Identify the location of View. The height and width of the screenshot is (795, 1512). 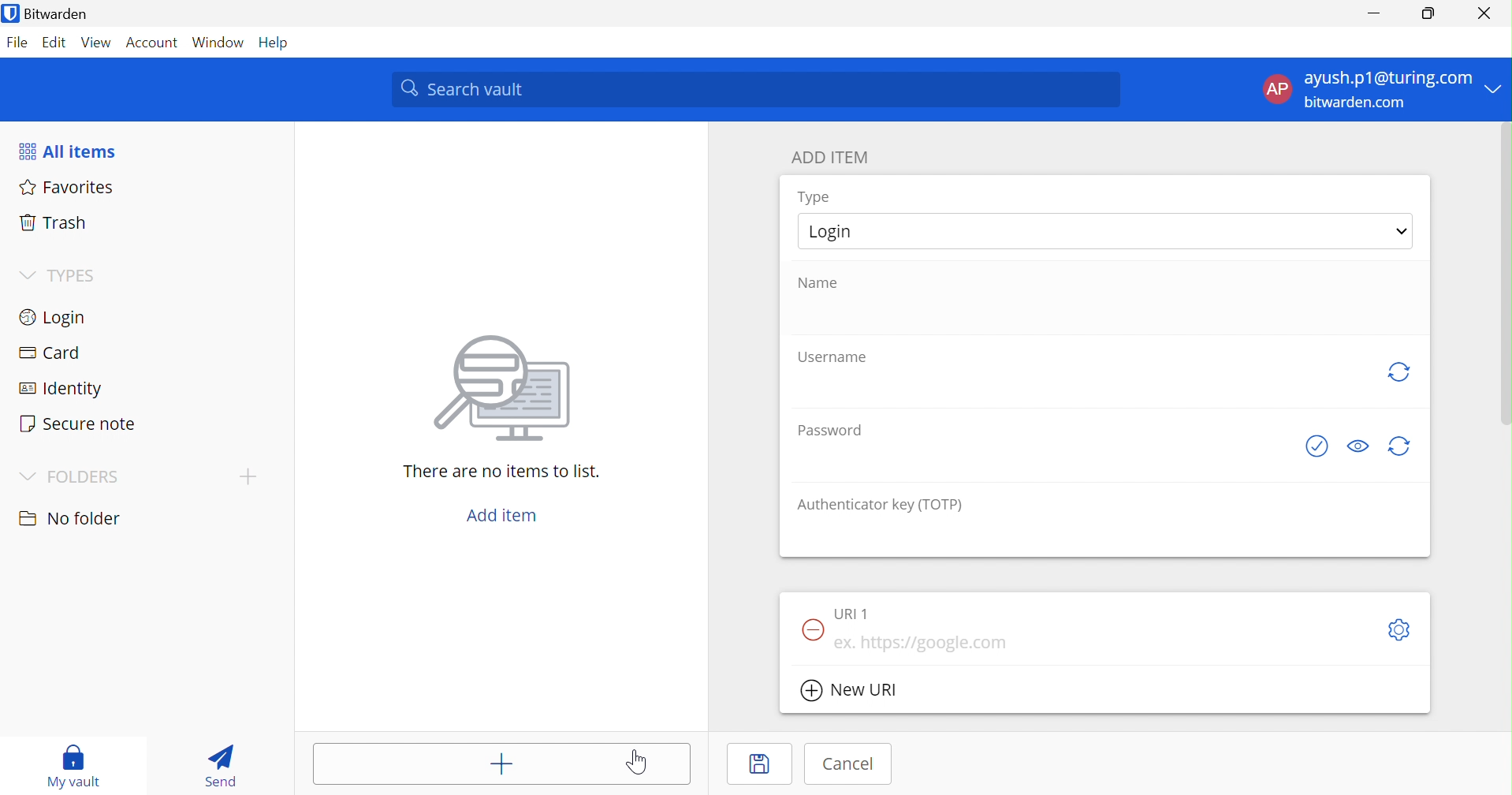
(94, 42).